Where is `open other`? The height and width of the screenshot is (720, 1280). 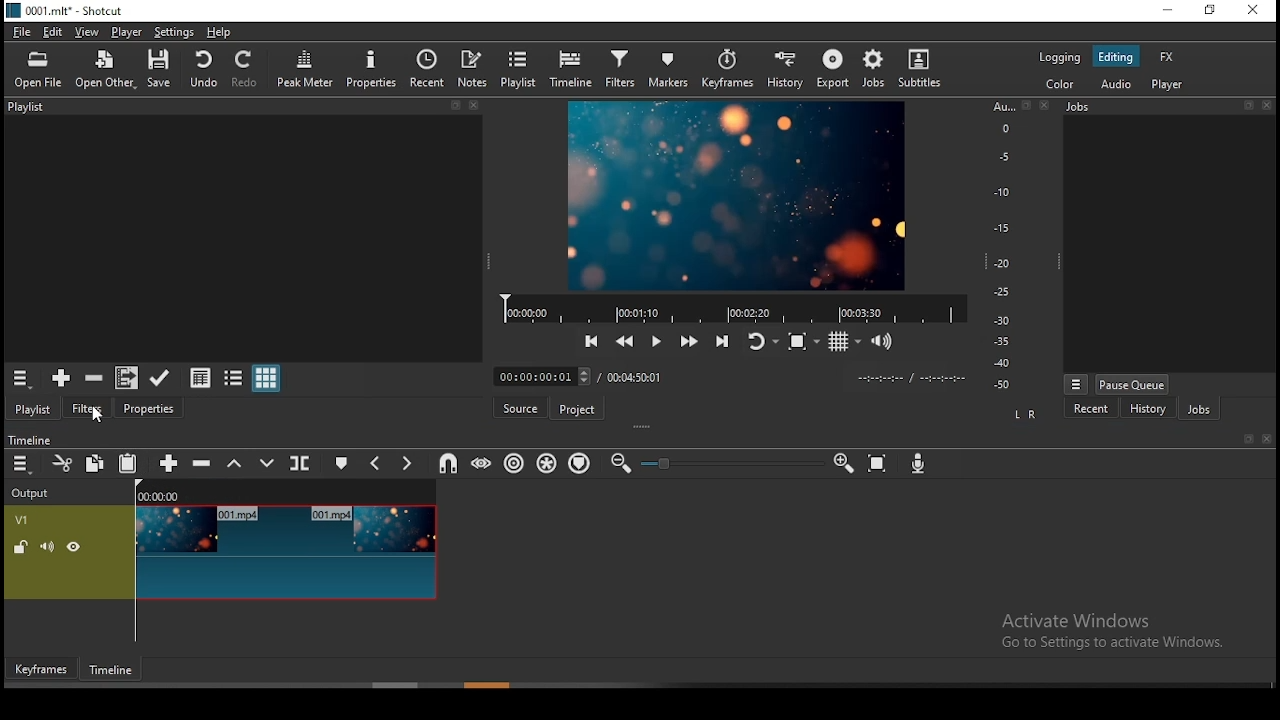
open other is located at coordinates (107, 71).